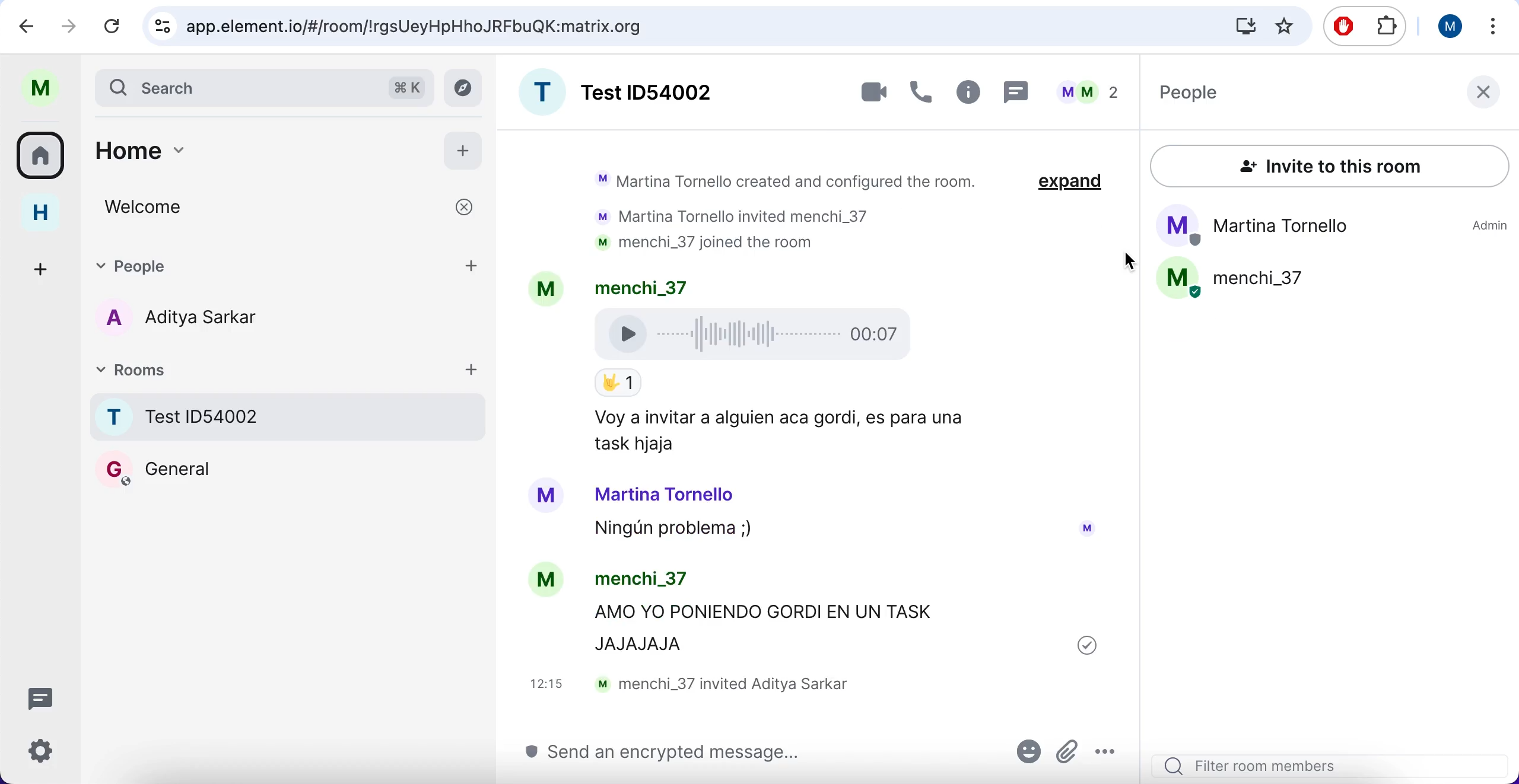  I want to click on welcome, so click(296, 207).